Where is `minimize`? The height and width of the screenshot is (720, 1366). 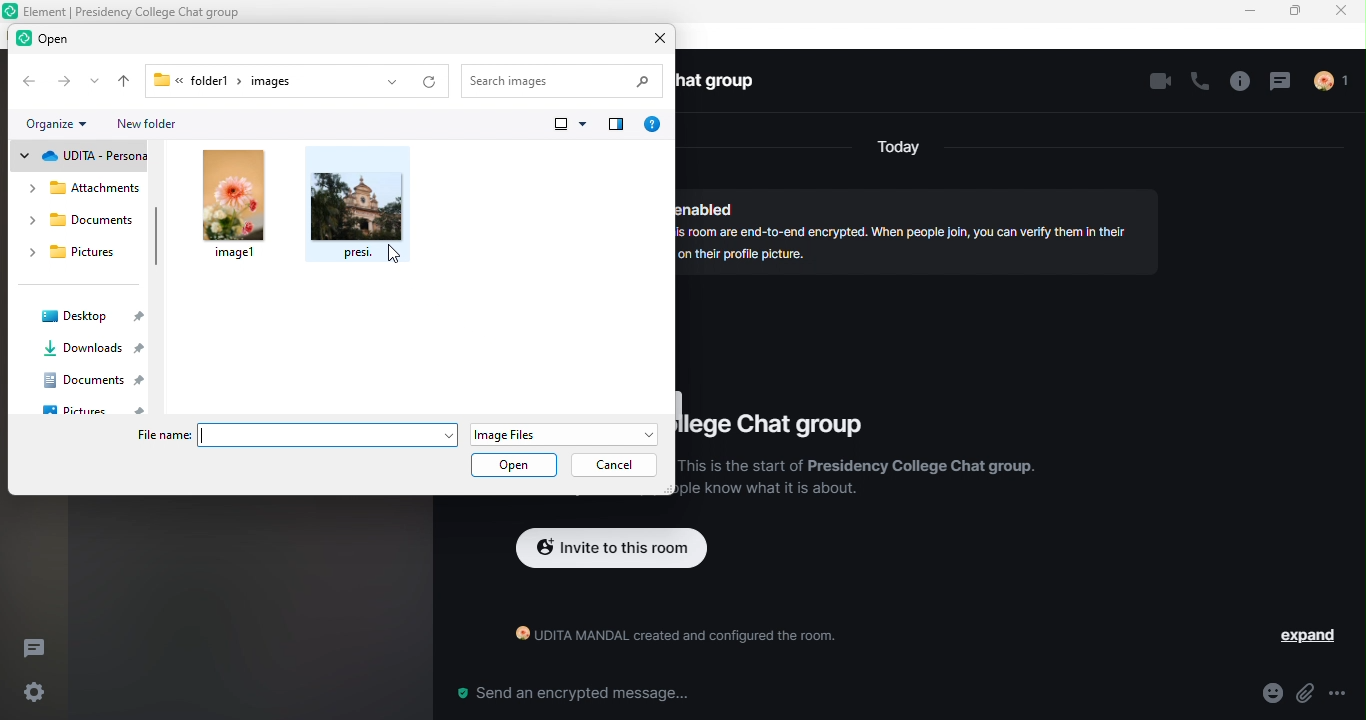
minimize is located at coordinates (1252, 13).